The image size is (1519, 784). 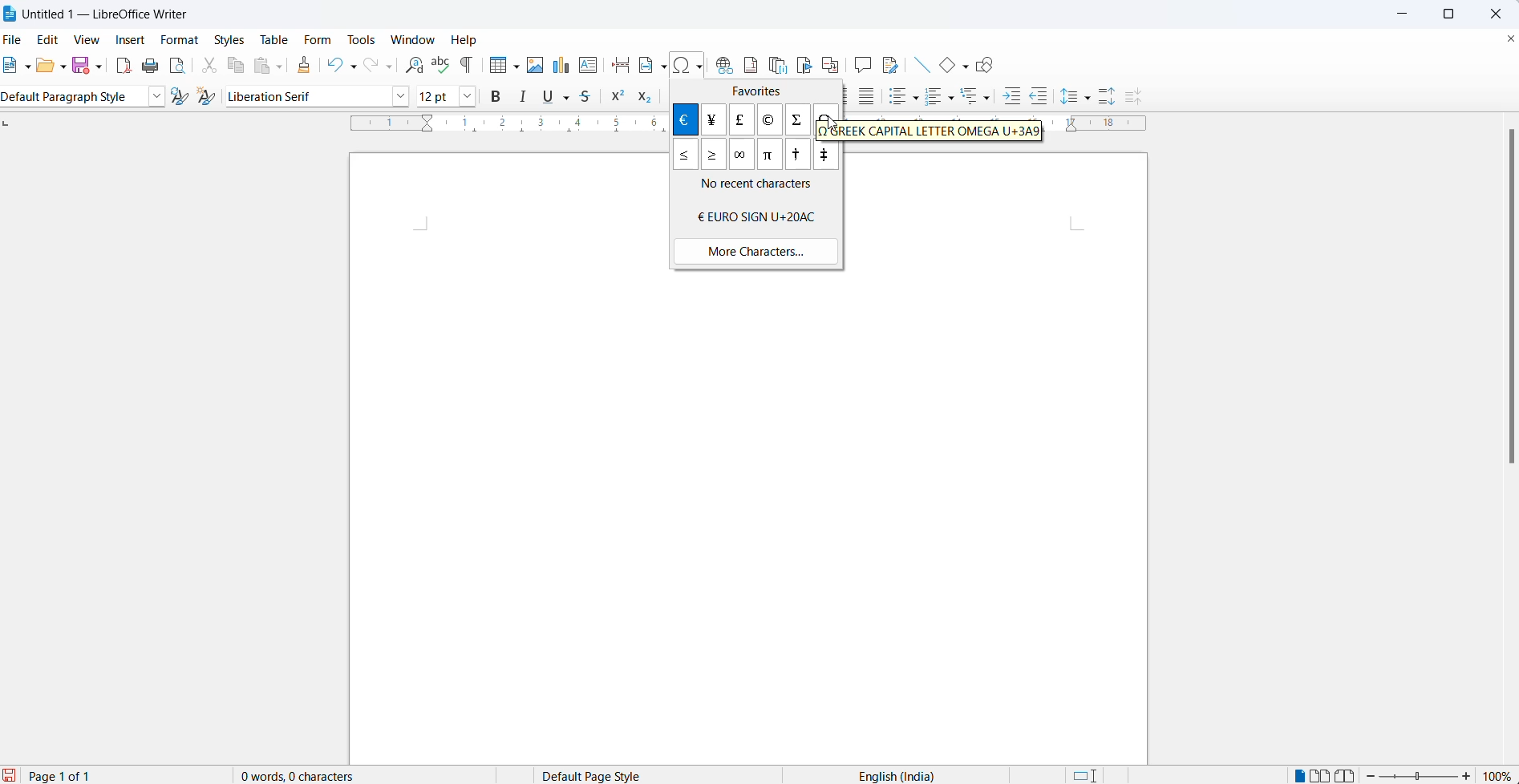 I want to click on toggle ordered list, so click(x=934, y=99).